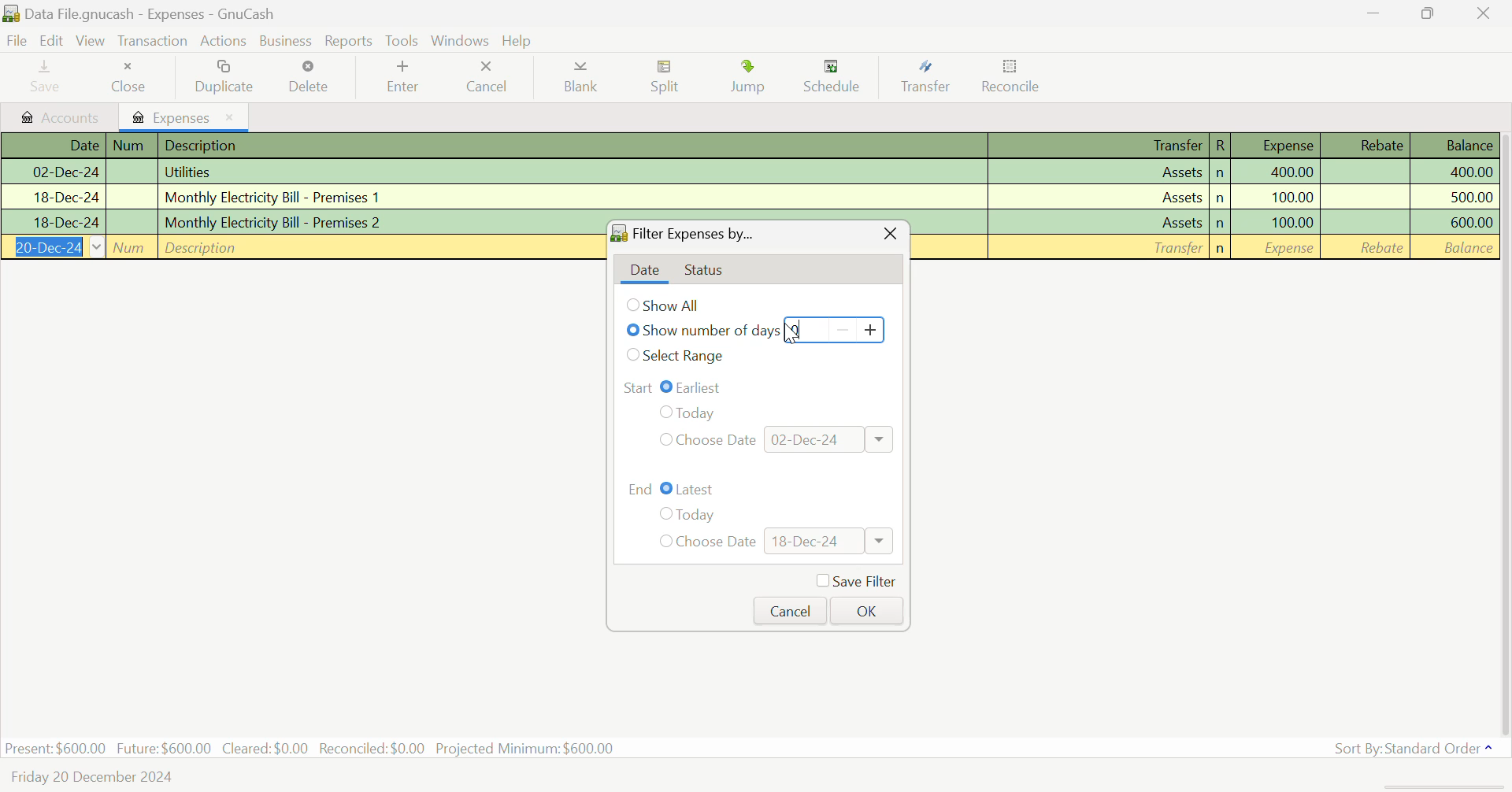 The height and width of the screenshot is (792, 1512). What do you see at coordinates (682, 359) in the screenshot?
I see `Select Range` at bounding box center [682, 359].